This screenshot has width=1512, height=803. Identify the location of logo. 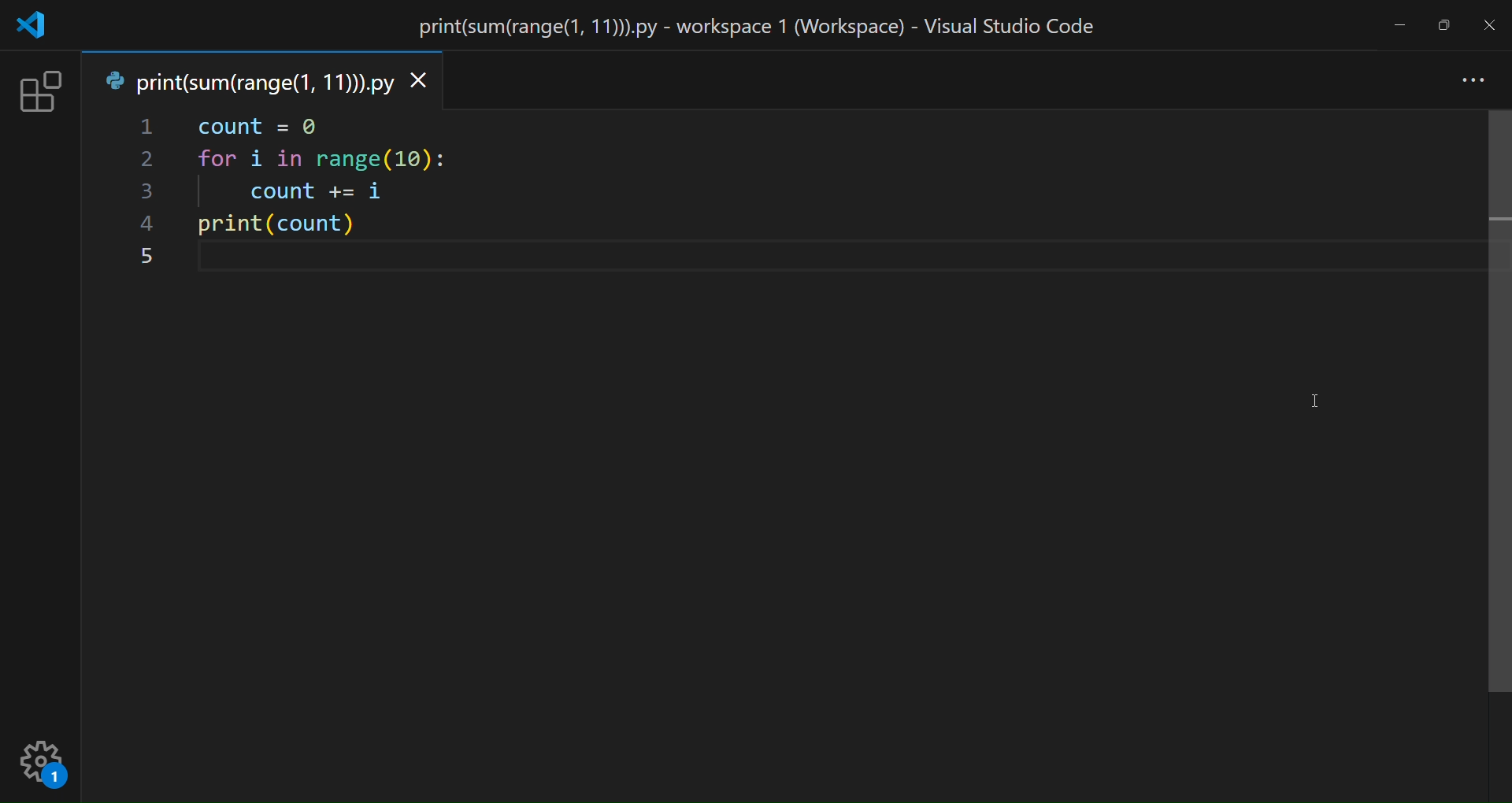
(33, 26).